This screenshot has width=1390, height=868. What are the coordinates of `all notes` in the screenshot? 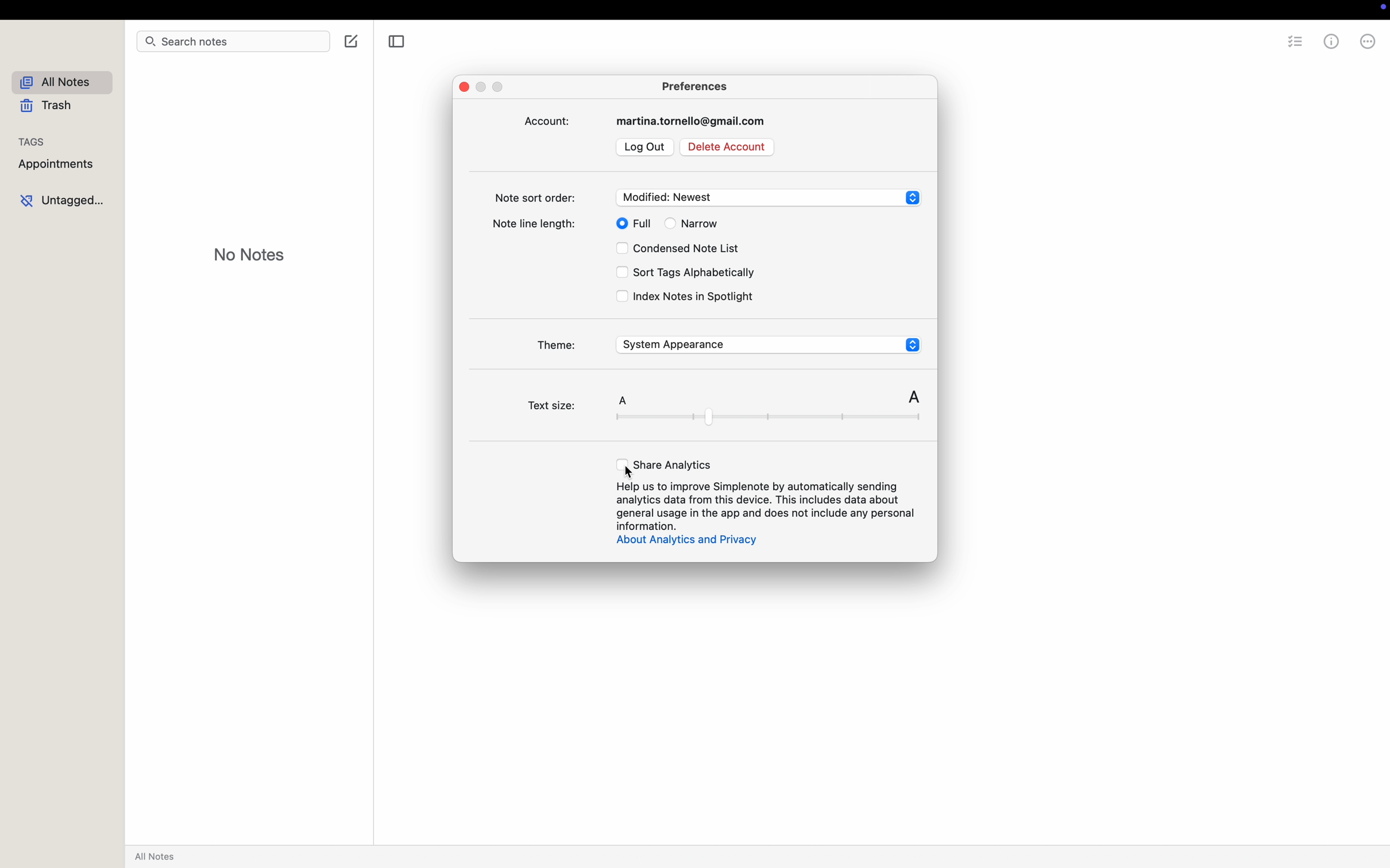 It's located at (157, 858).